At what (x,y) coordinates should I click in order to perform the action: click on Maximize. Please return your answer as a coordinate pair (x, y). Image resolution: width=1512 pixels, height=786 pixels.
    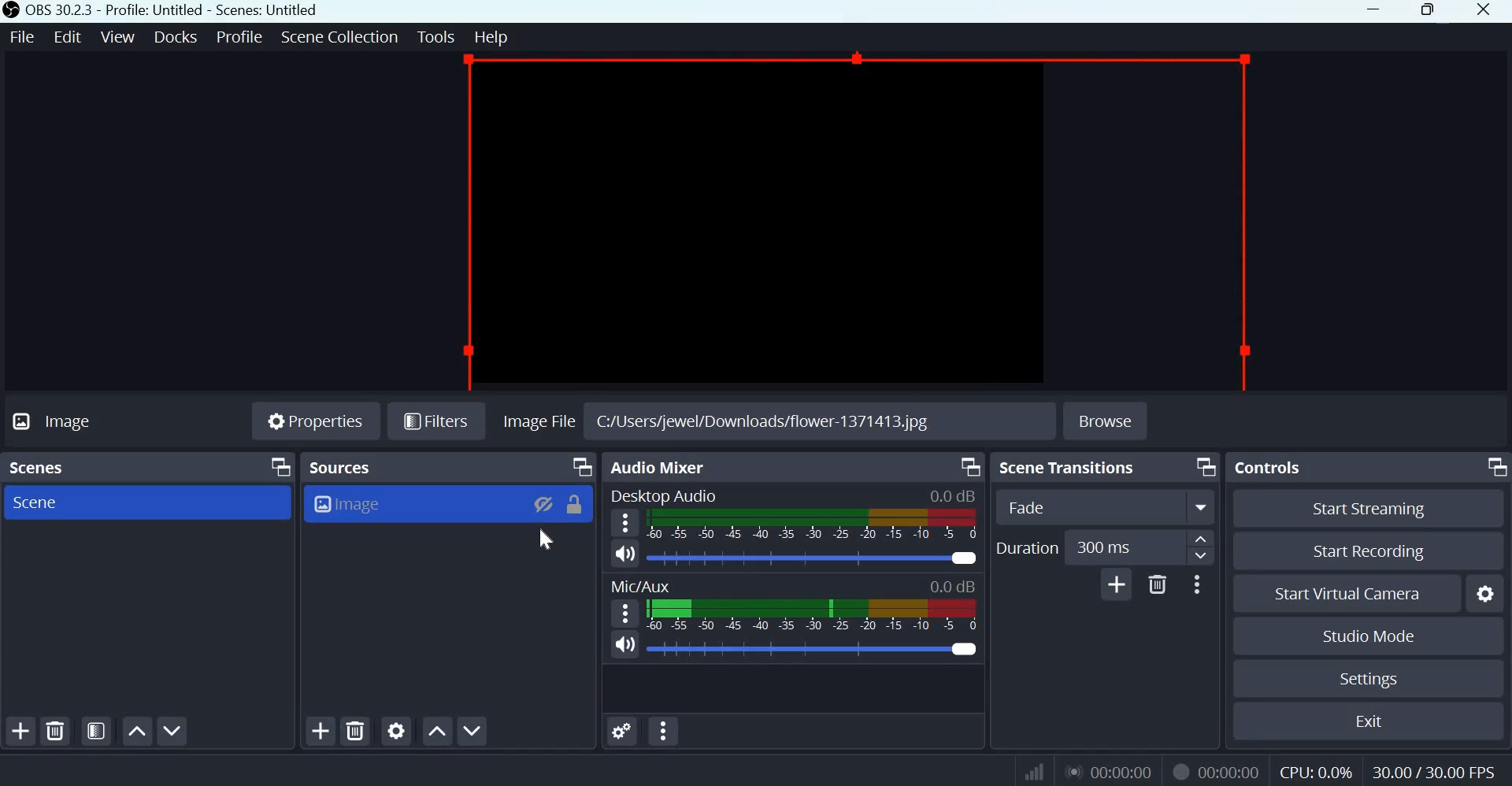
    Looking at the image, I should click on (1431, 11).